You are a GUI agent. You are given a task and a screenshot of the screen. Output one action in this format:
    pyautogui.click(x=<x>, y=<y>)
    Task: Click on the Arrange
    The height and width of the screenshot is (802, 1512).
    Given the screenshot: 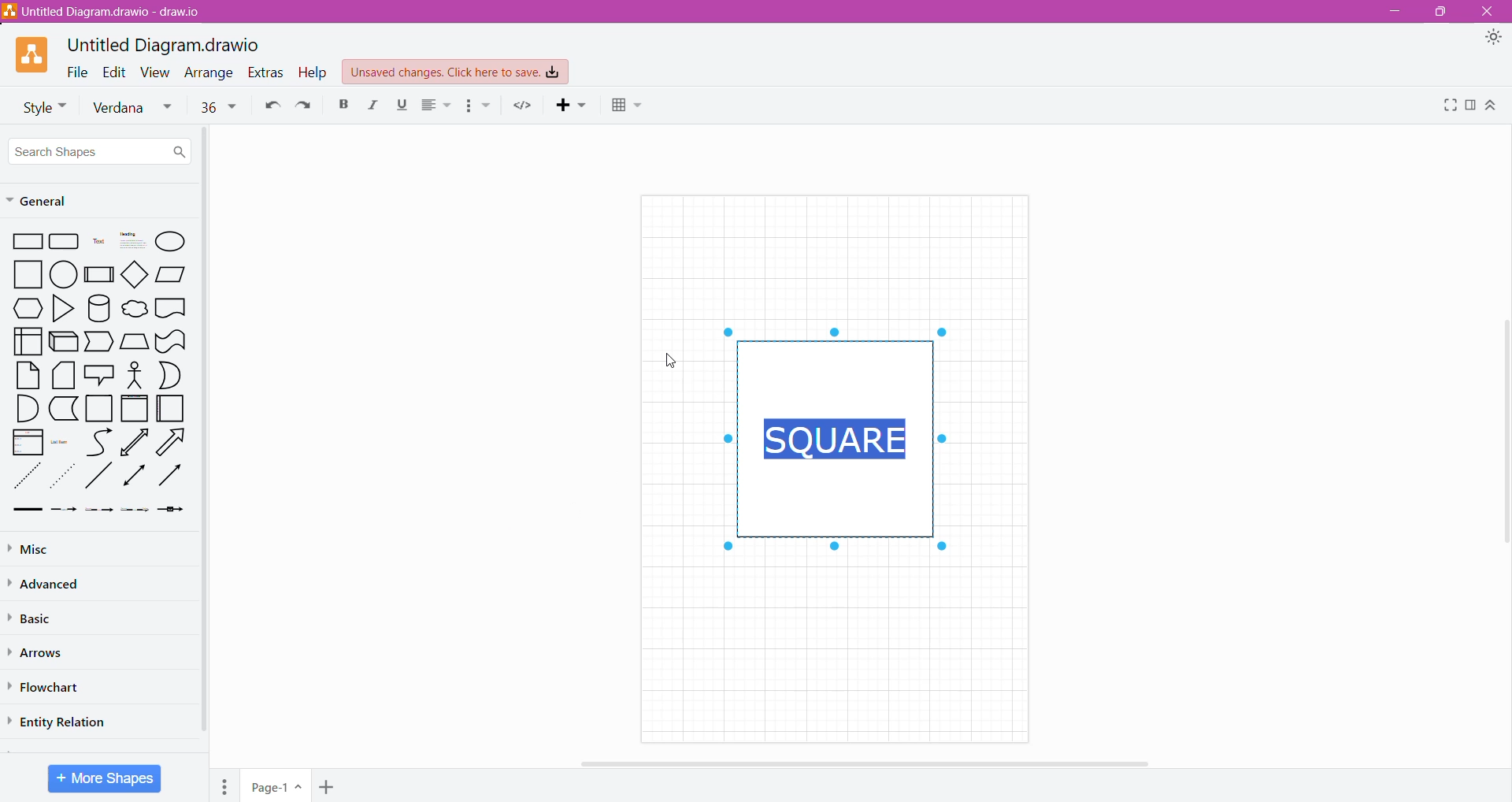 What is the action you would take?
    pyautogui.click(x=210, y=73)
    